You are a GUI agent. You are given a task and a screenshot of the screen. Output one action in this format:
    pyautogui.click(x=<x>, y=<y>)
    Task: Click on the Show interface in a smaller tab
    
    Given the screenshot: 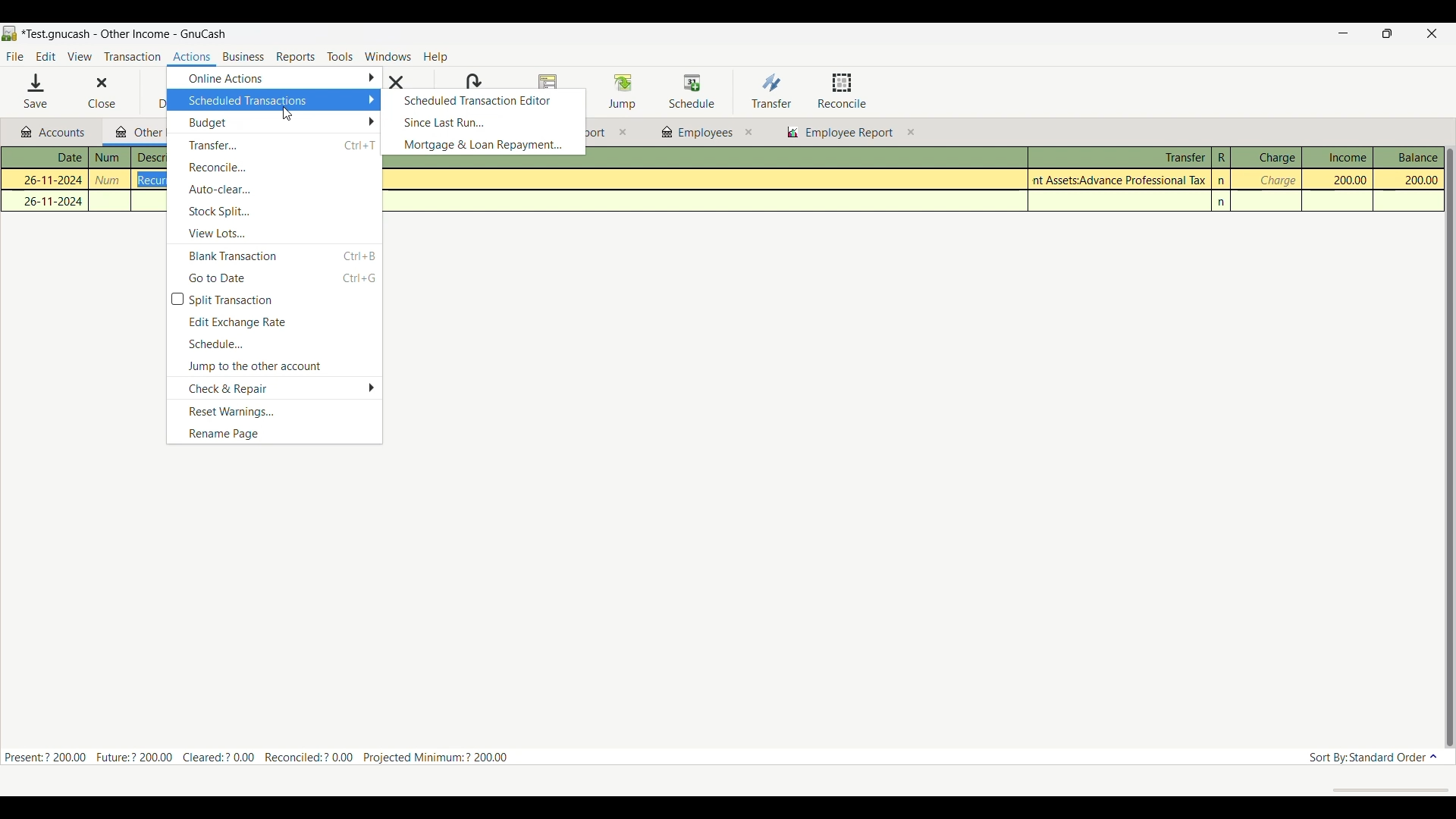 What is the action you would take?
    pyautogui.click(x=1390, y=35)
    